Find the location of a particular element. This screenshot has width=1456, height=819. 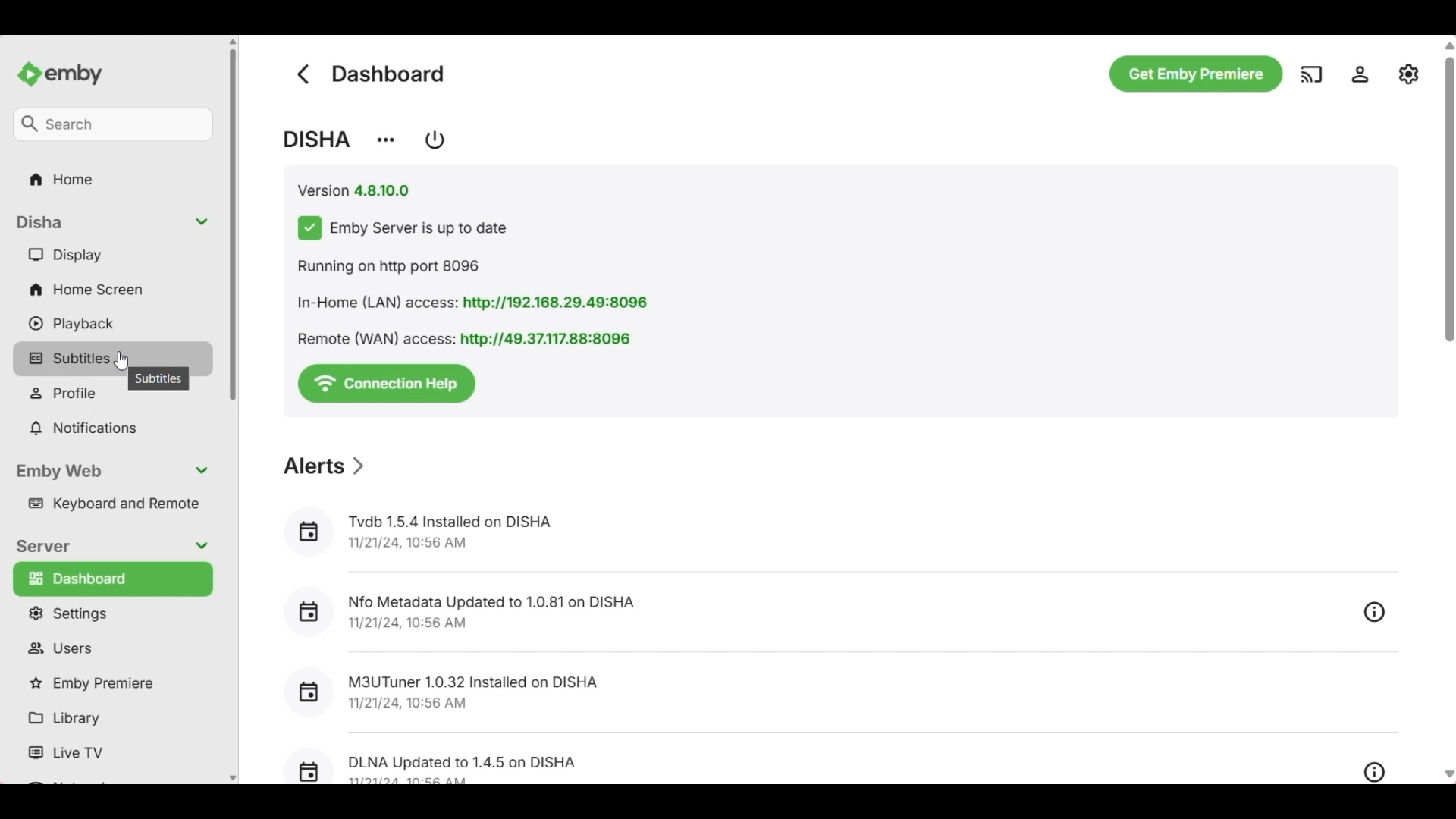

Title of current selection is located at coordinates (316, 140).